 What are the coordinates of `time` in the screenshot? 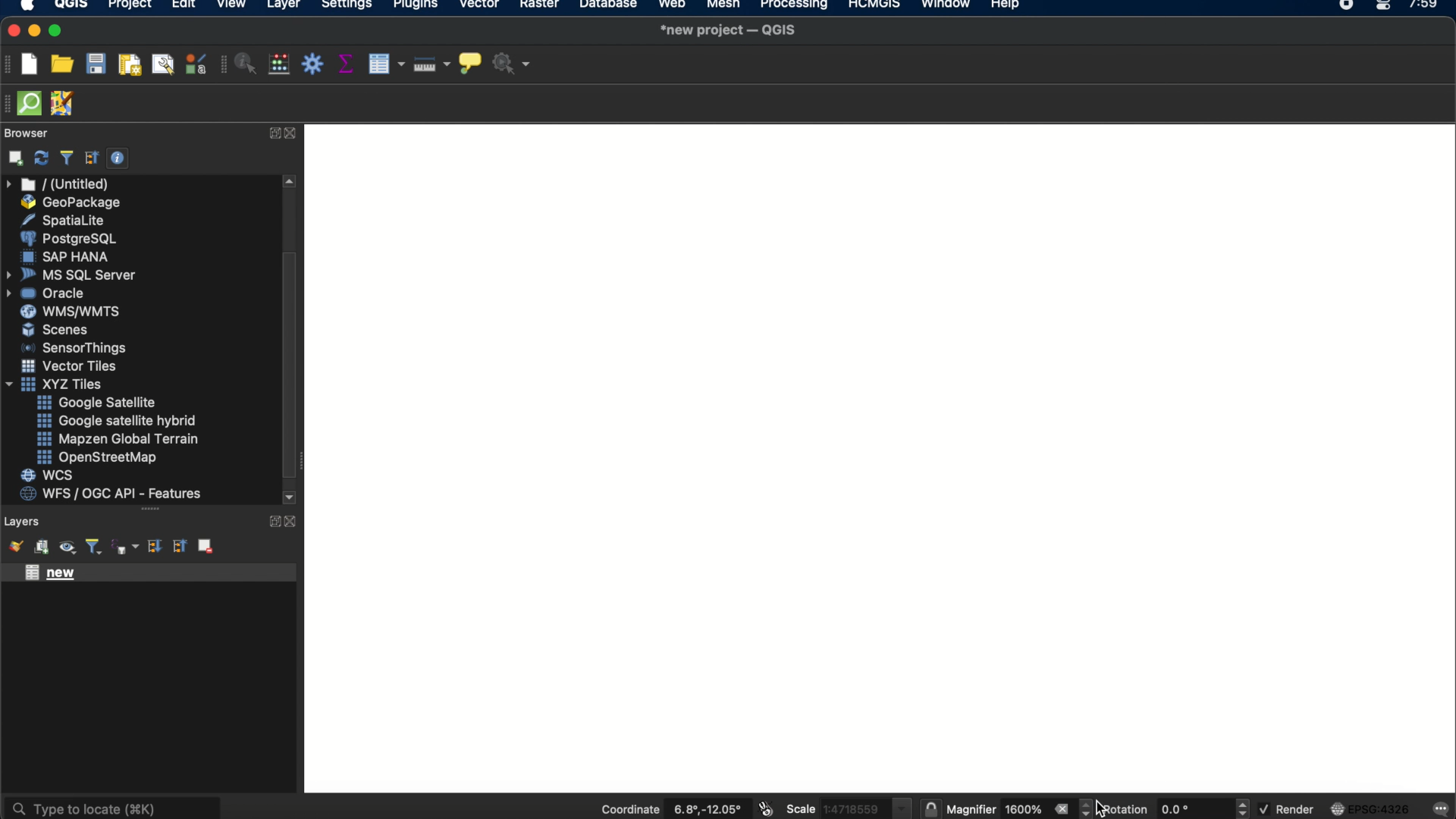 It's located at (1425, 9).